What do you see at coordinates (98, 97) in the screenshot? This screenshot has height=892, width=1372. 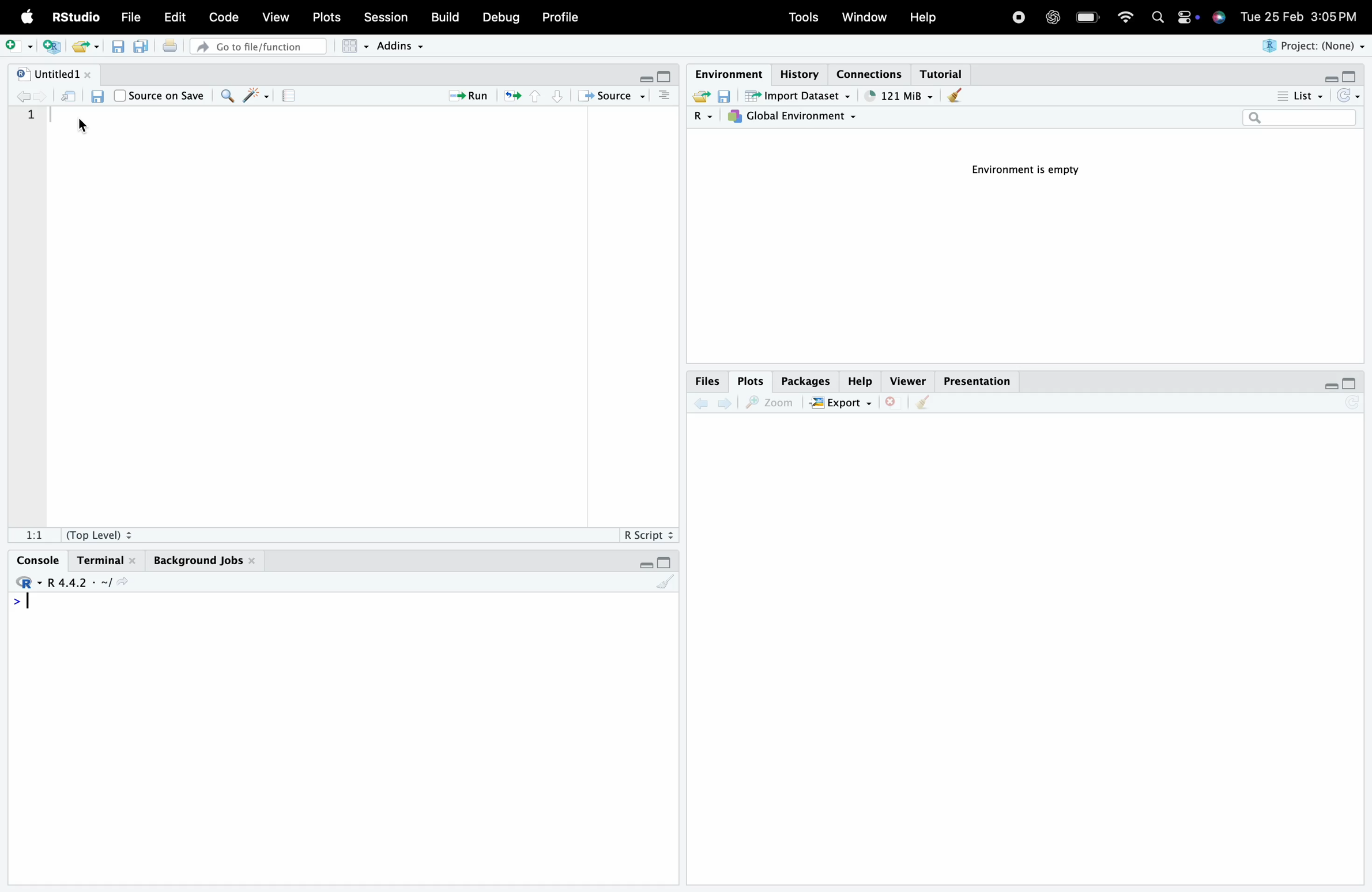 I see `Save current document (Ctrl + S)` at bounding box center [98, 97].